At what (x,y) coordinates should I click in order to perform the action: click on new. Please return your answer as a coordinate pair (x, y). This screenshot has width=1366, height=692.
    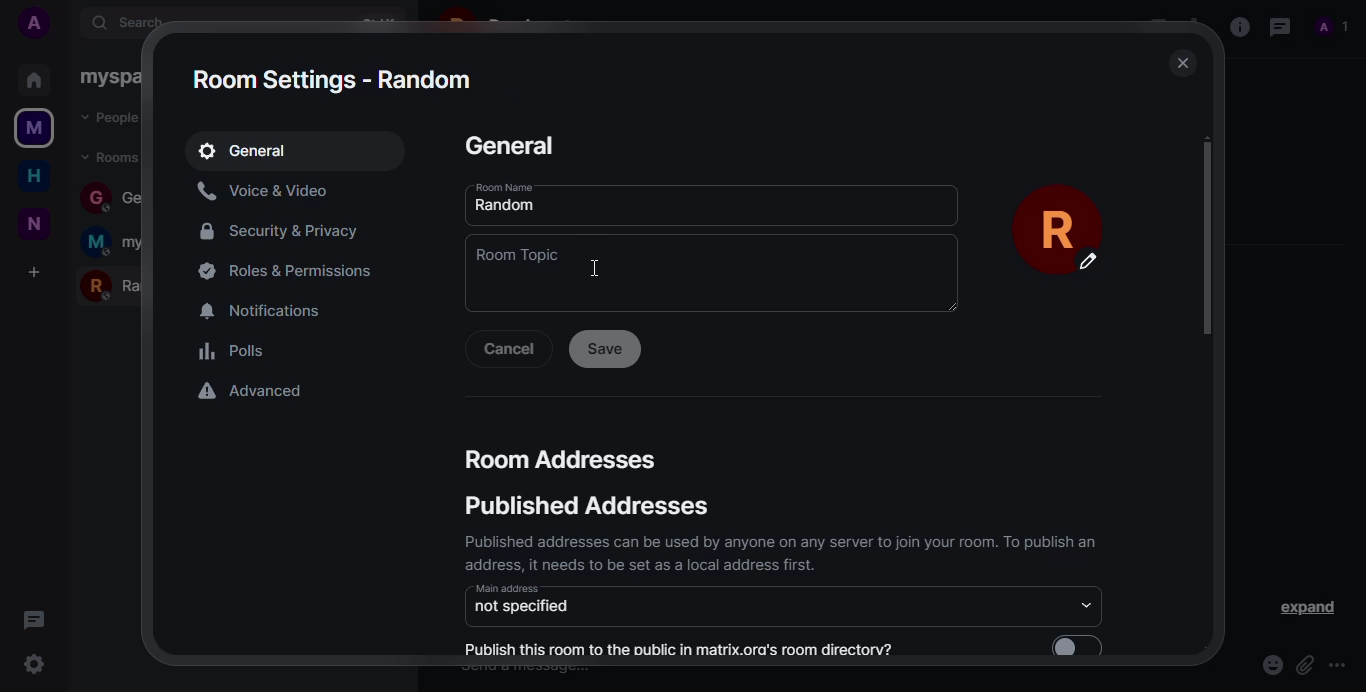
    Looking at the image, I should click on (33, 225).